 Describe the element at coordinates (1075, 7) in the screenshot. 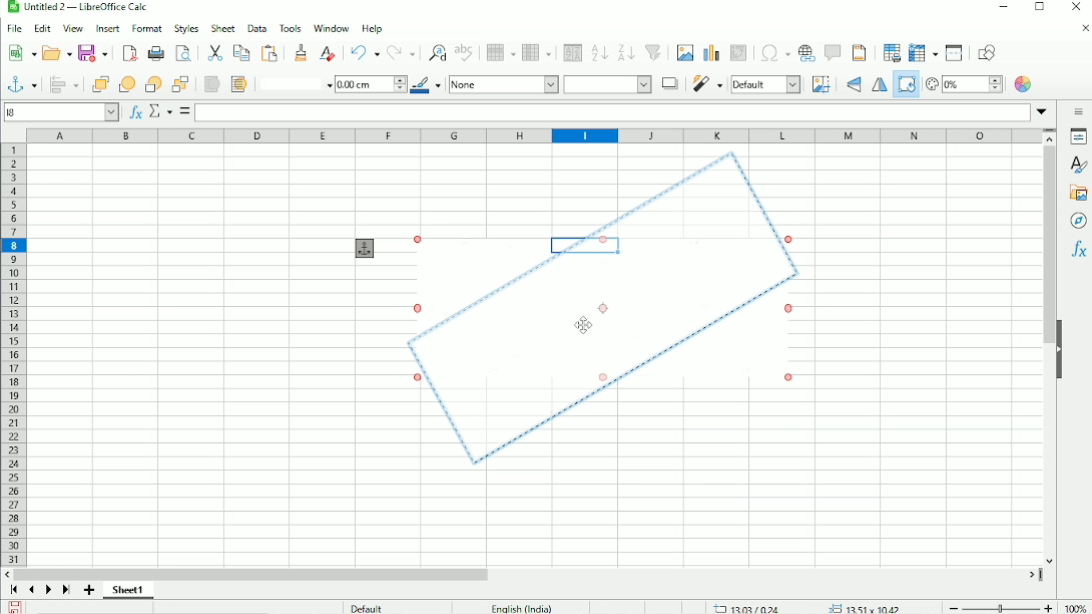

I see `Close` at that location.